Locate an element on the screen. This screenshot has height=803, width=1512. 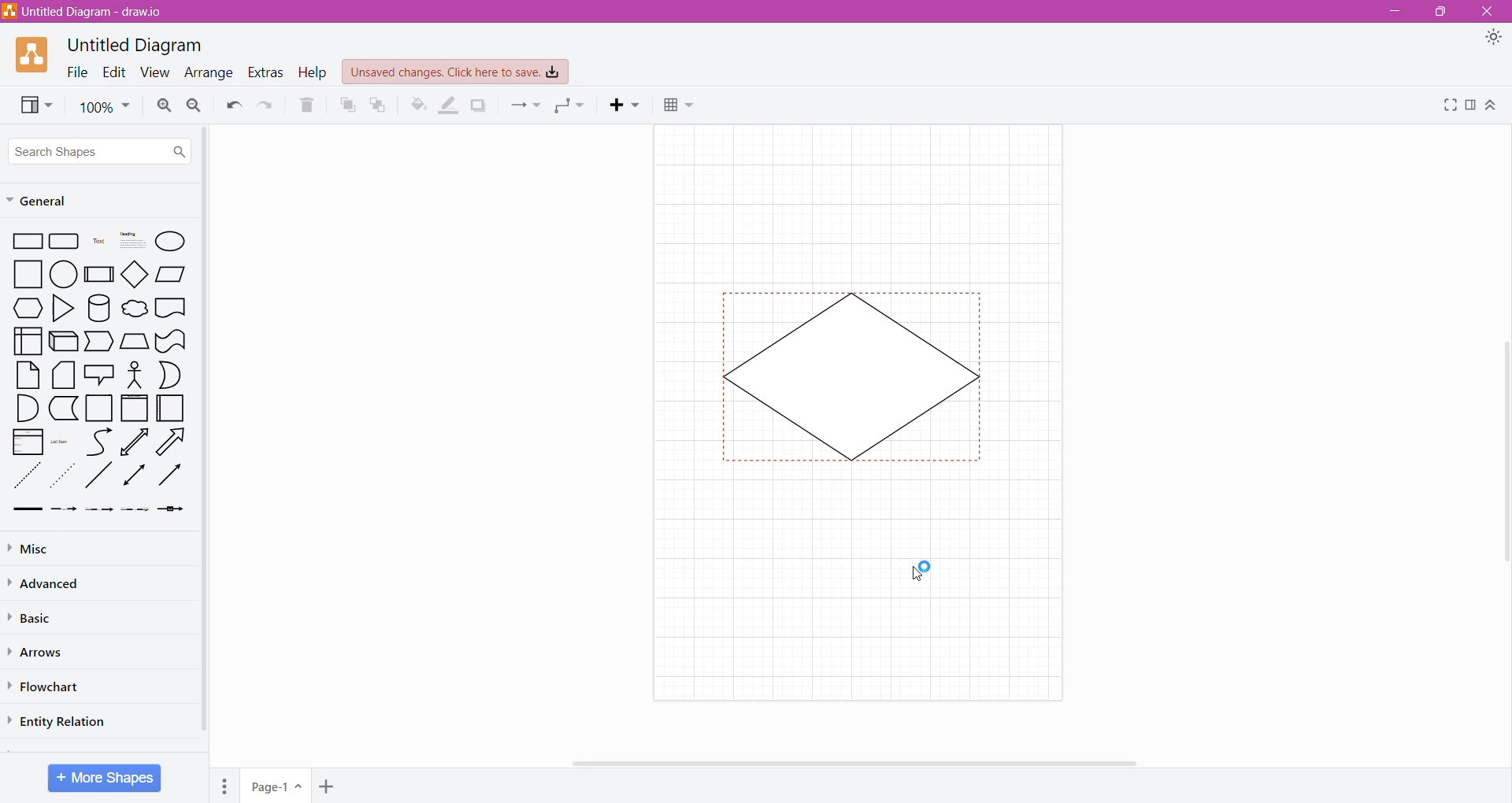
Pages is located at coordinates (224, 786).